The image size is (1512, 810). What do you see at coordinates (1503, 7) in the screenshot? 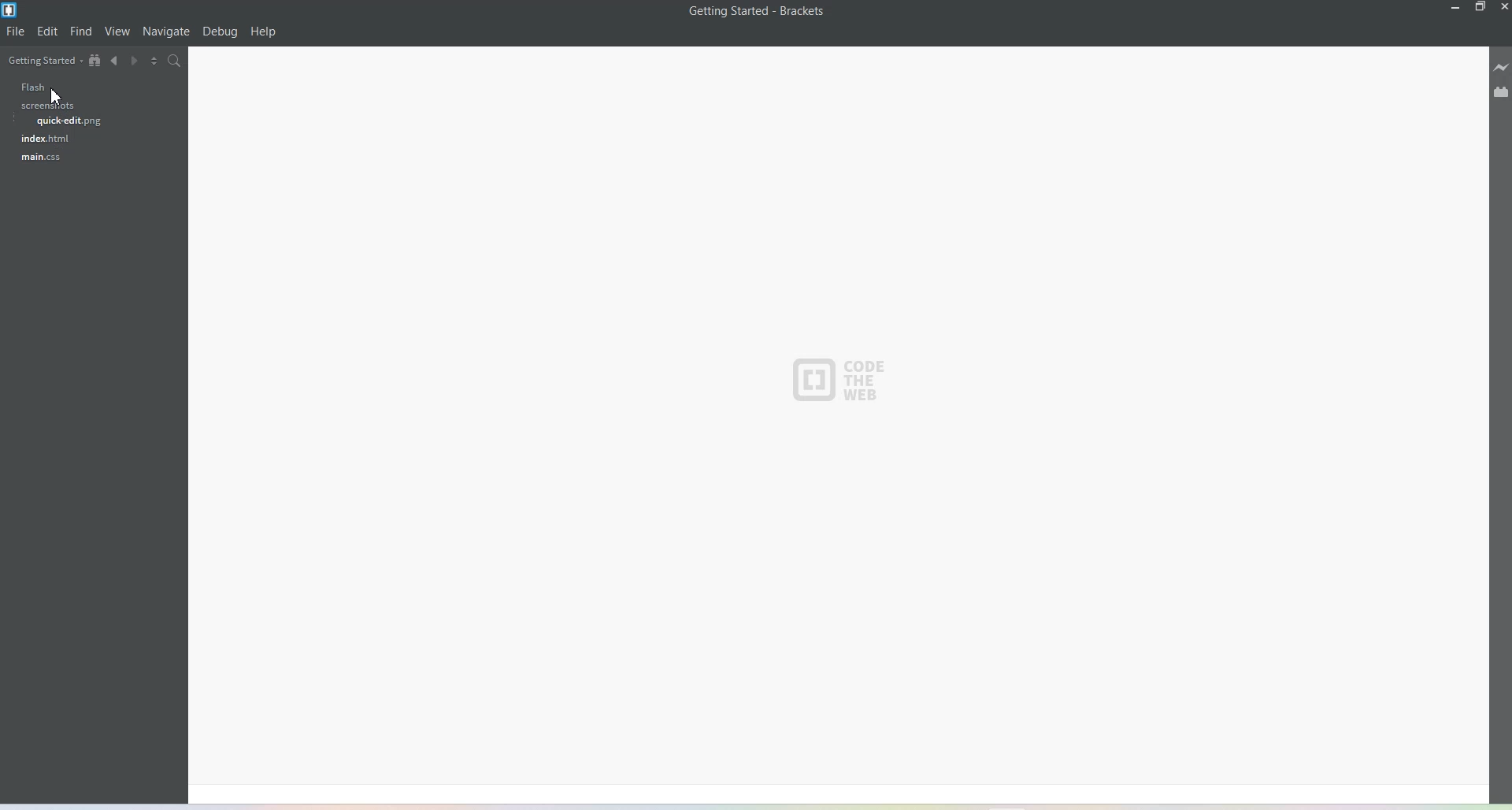
I see `Close` at bounding box center [1503, 7].